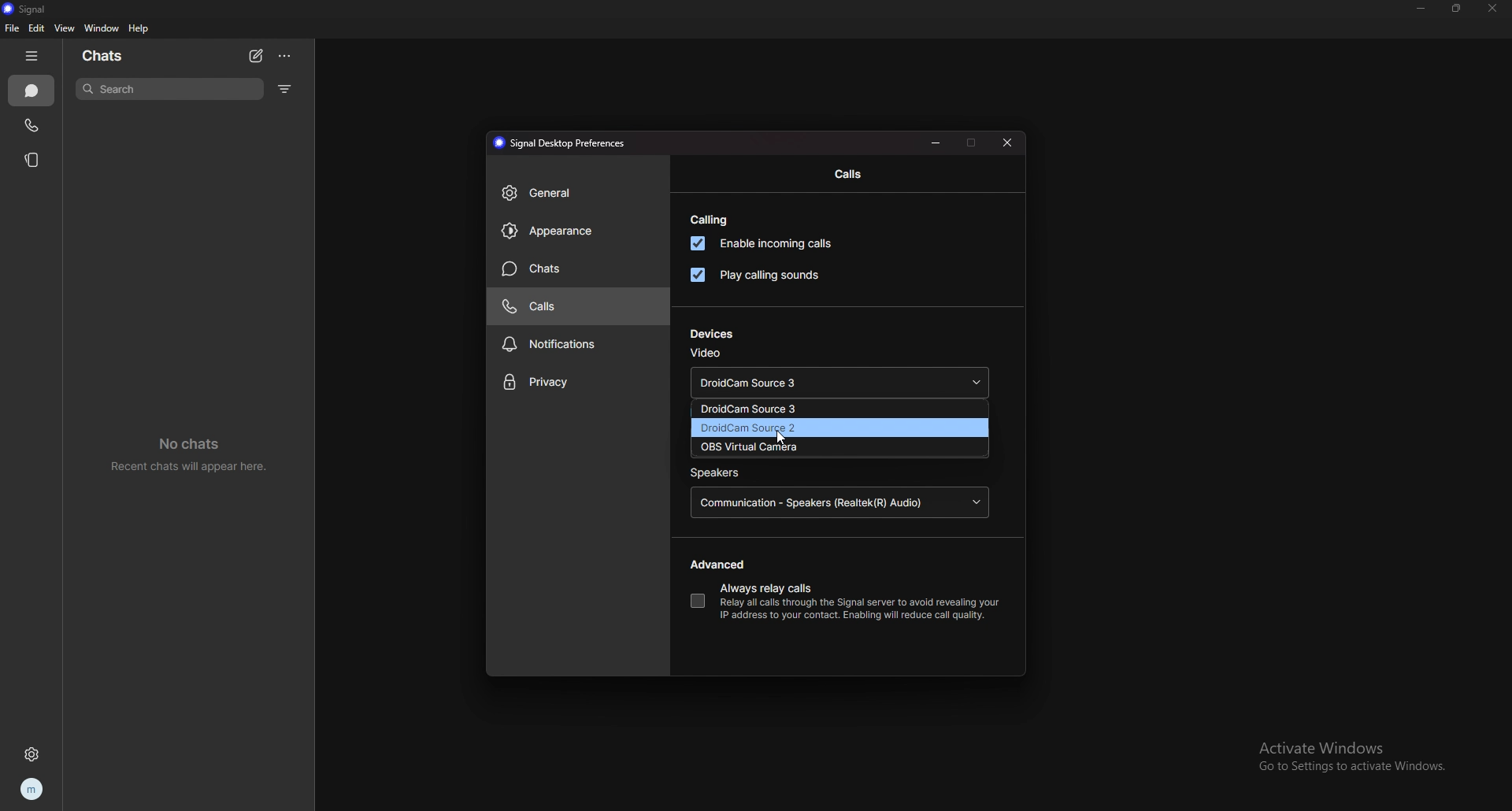  Describe the element at coordinates (32, 91) in the screenshot. I see `chats` at that location.